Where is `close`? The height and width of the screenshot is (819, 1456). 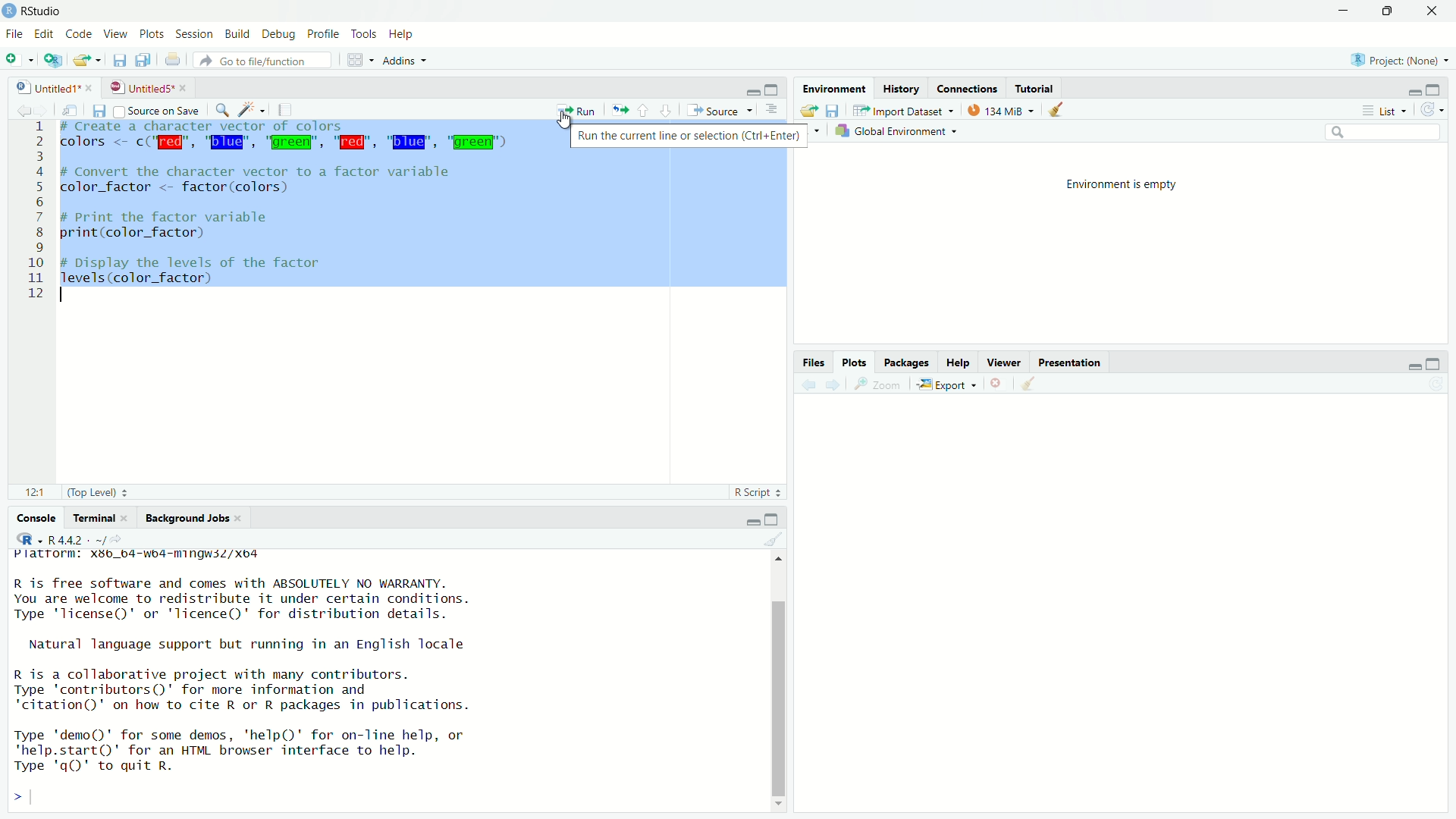
close is located at coordinates (1435, 10).